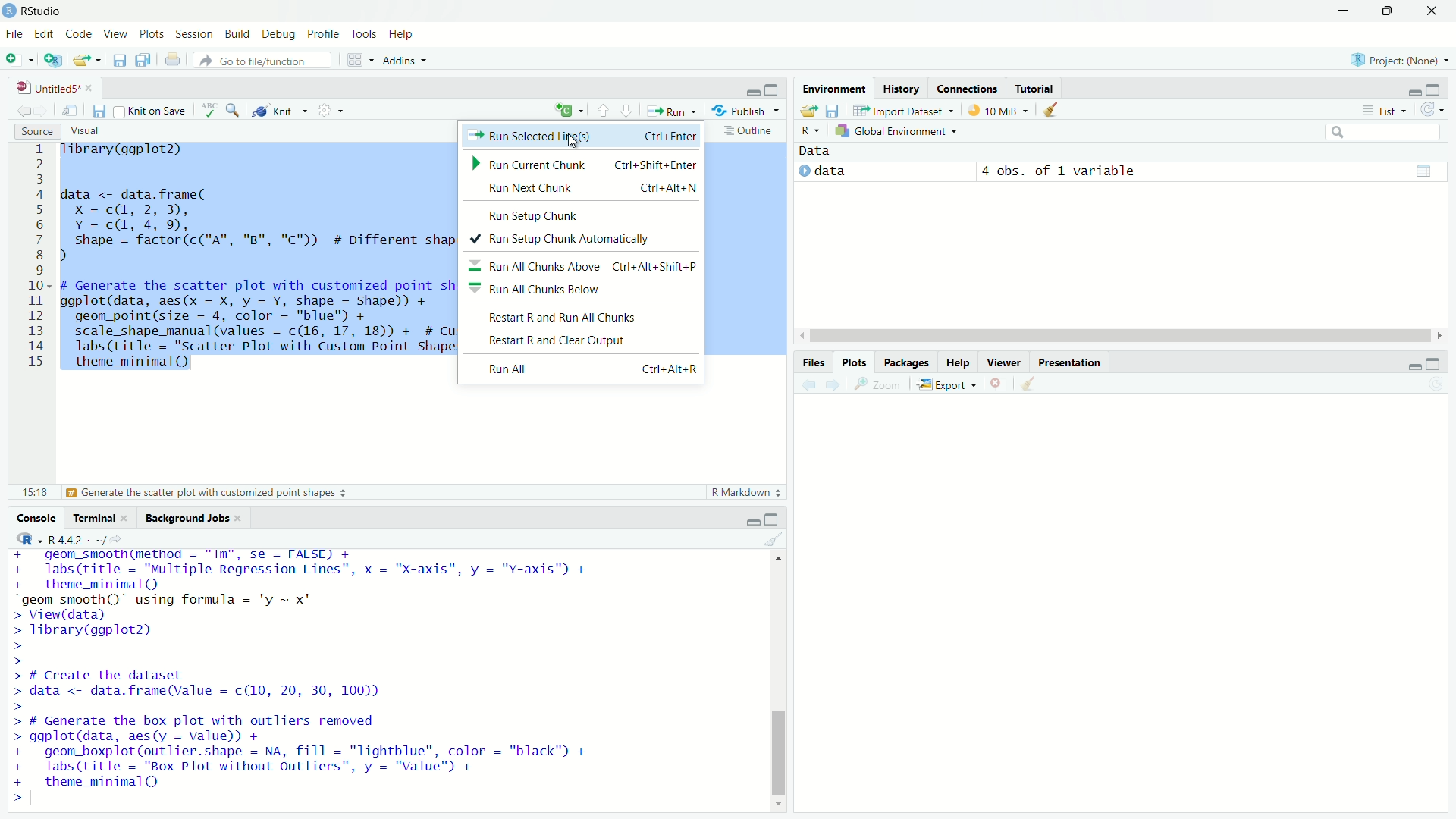 The image size is (1456, 819). Describe the element at coordinates (71, 110) in the screenshot. I see `Show in new window` at that location.